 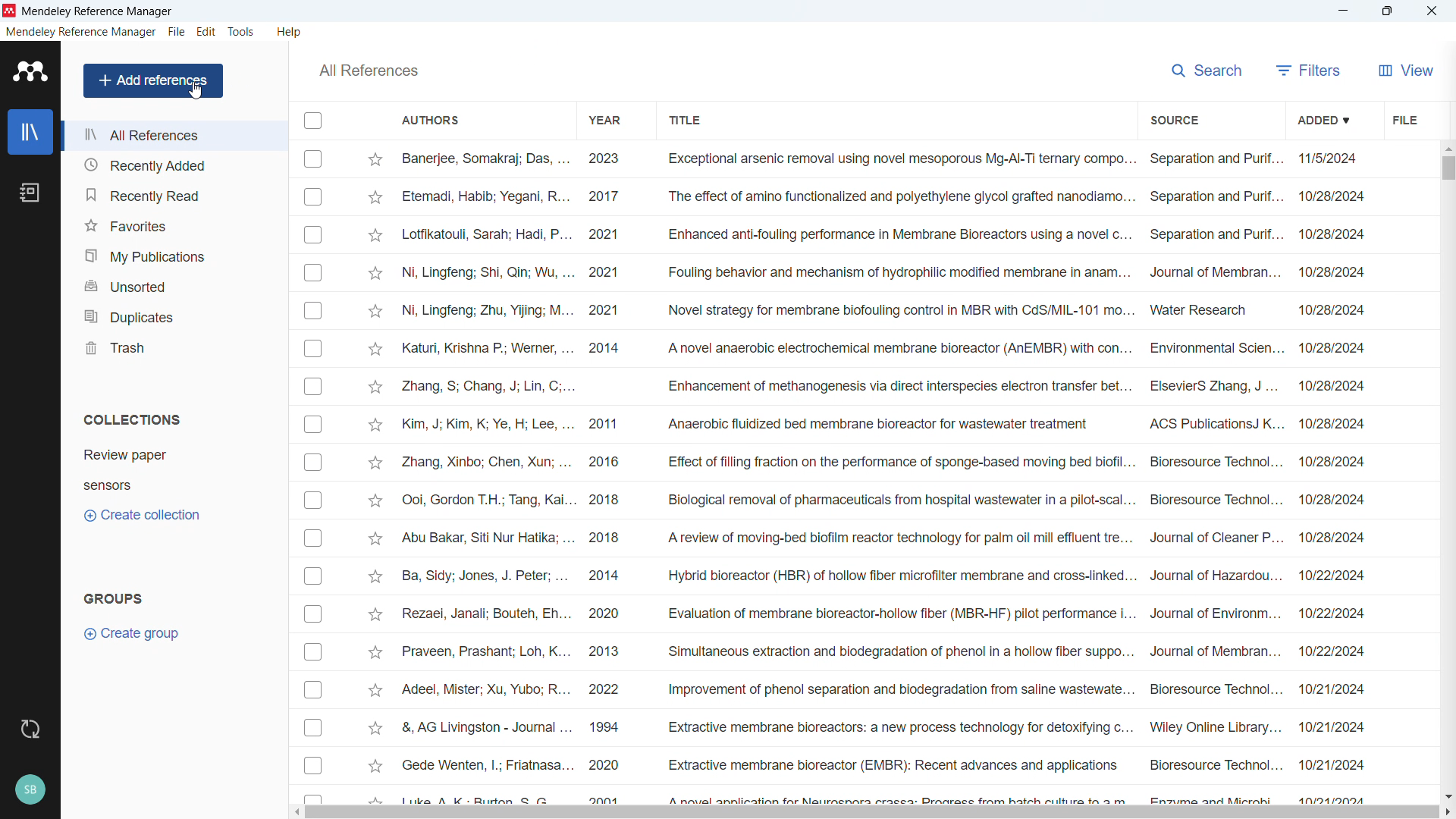 I want to click on Duplicates , so click(x=174, y=315).